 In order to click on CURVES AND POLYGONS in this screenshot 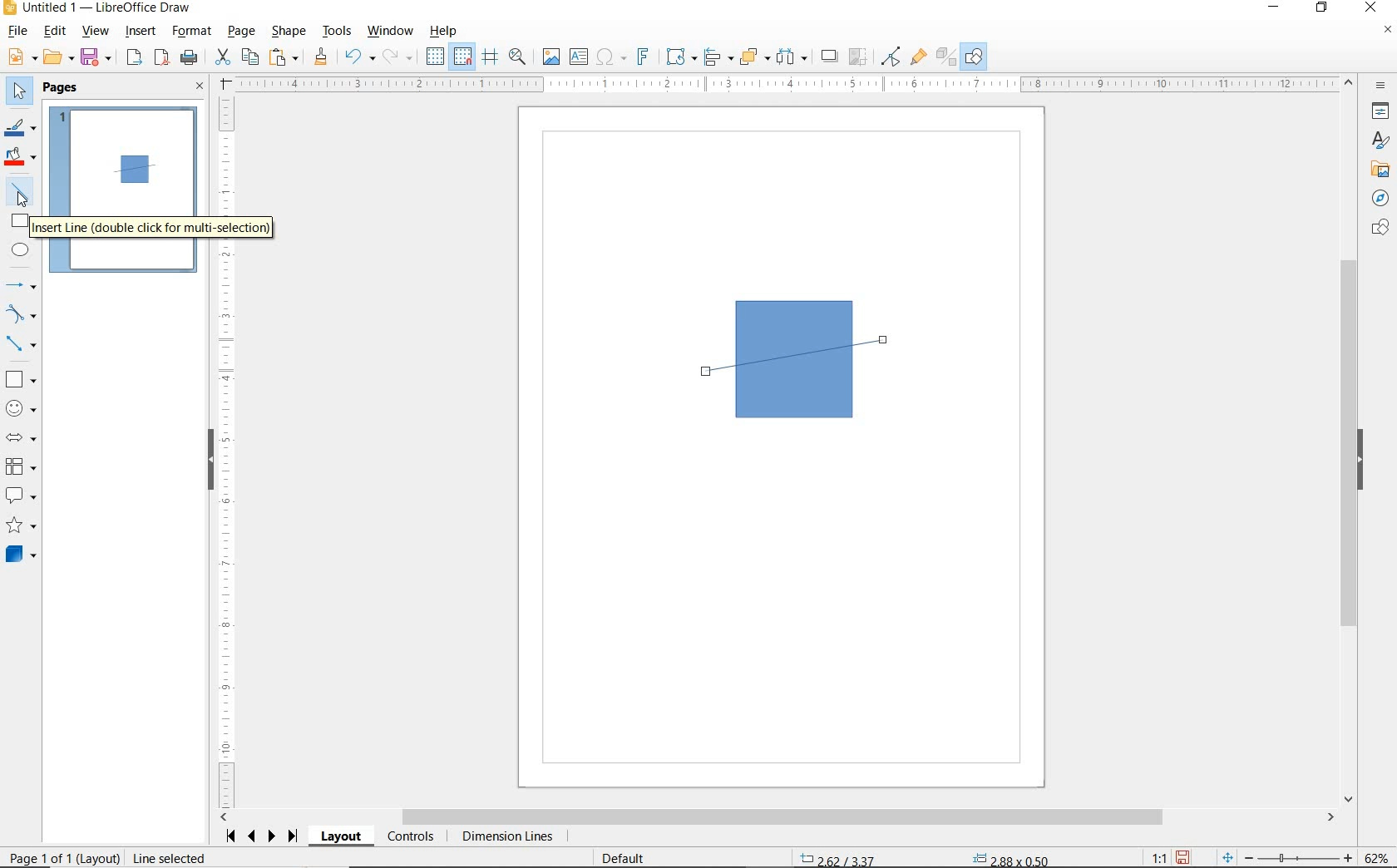, I will do `click(22, 313)`.